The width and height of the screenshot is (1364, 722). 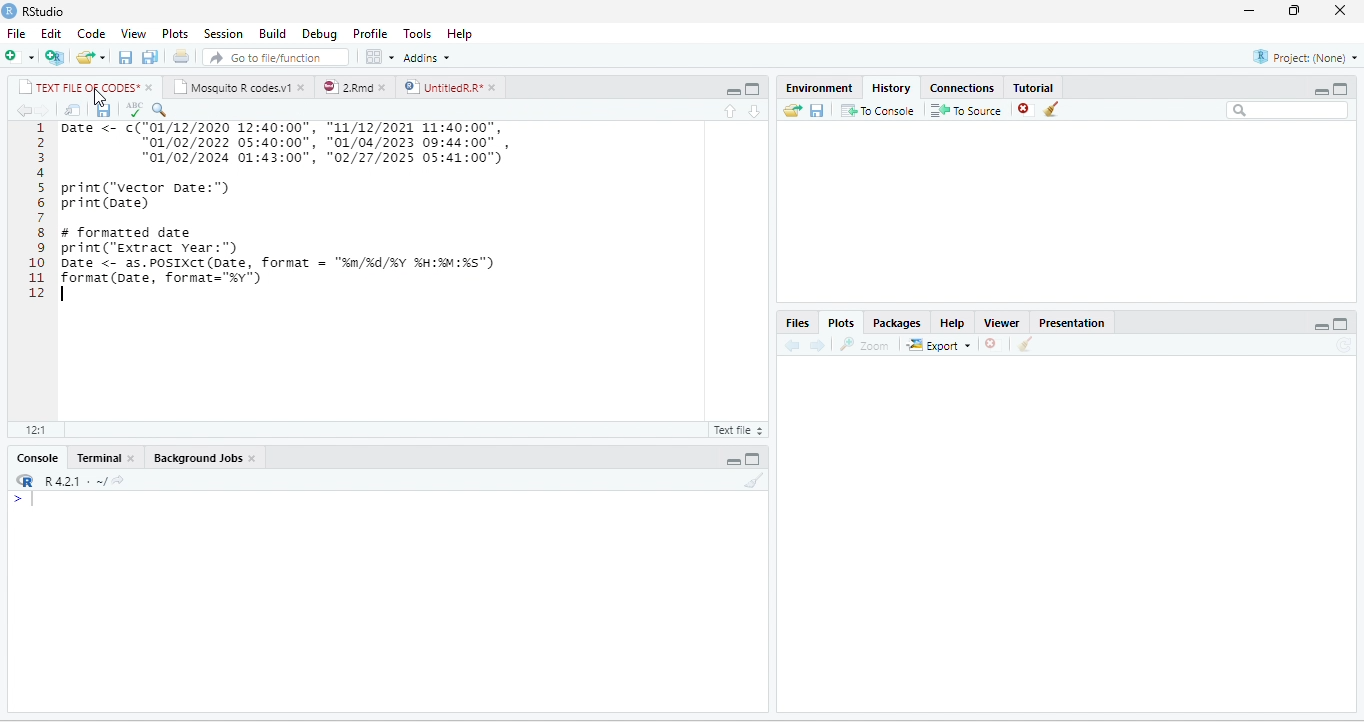 I want to click on save, so click(x=103, y=110).